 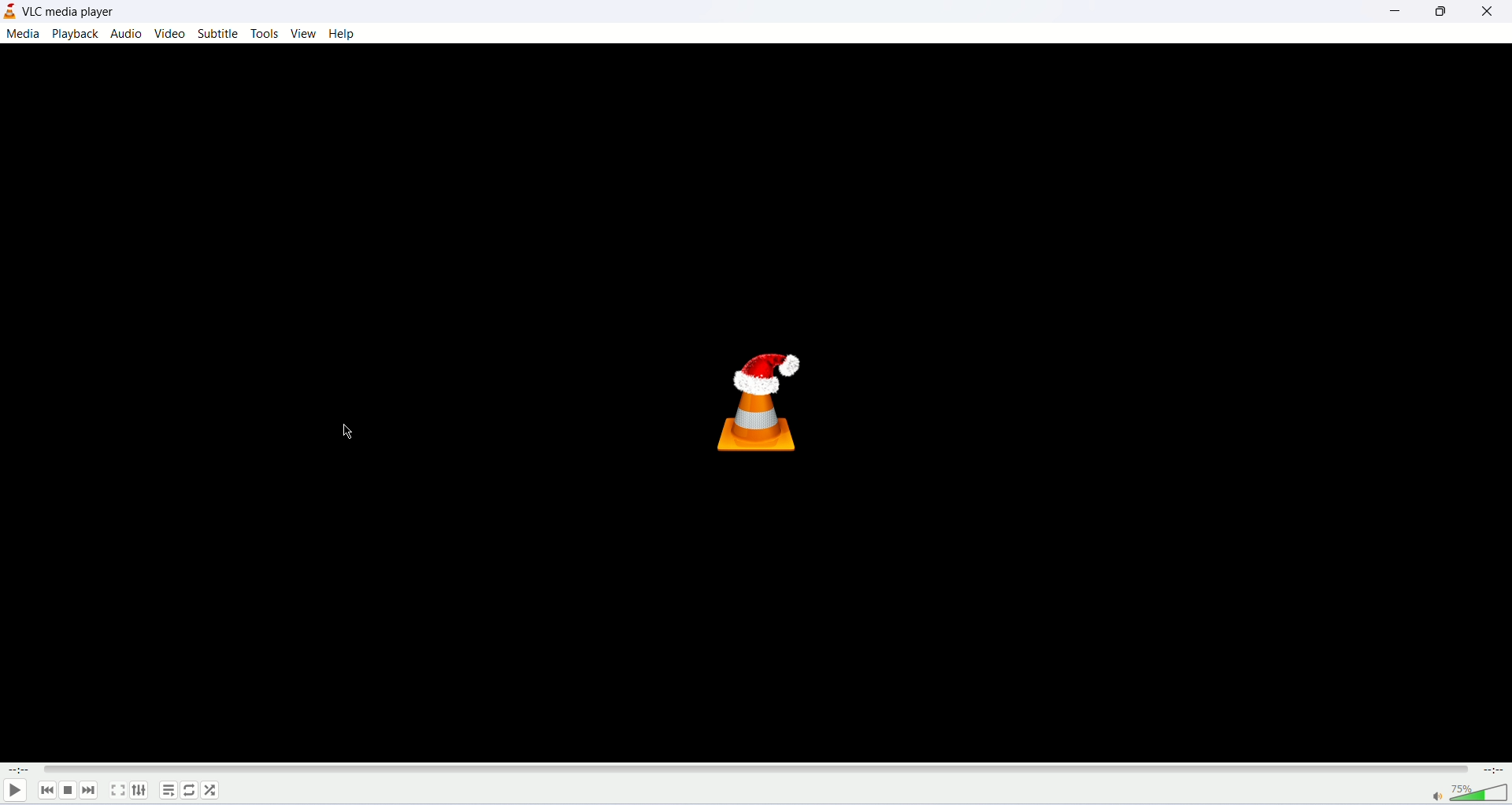 I want to click on previous, so click(x=46, y=790).